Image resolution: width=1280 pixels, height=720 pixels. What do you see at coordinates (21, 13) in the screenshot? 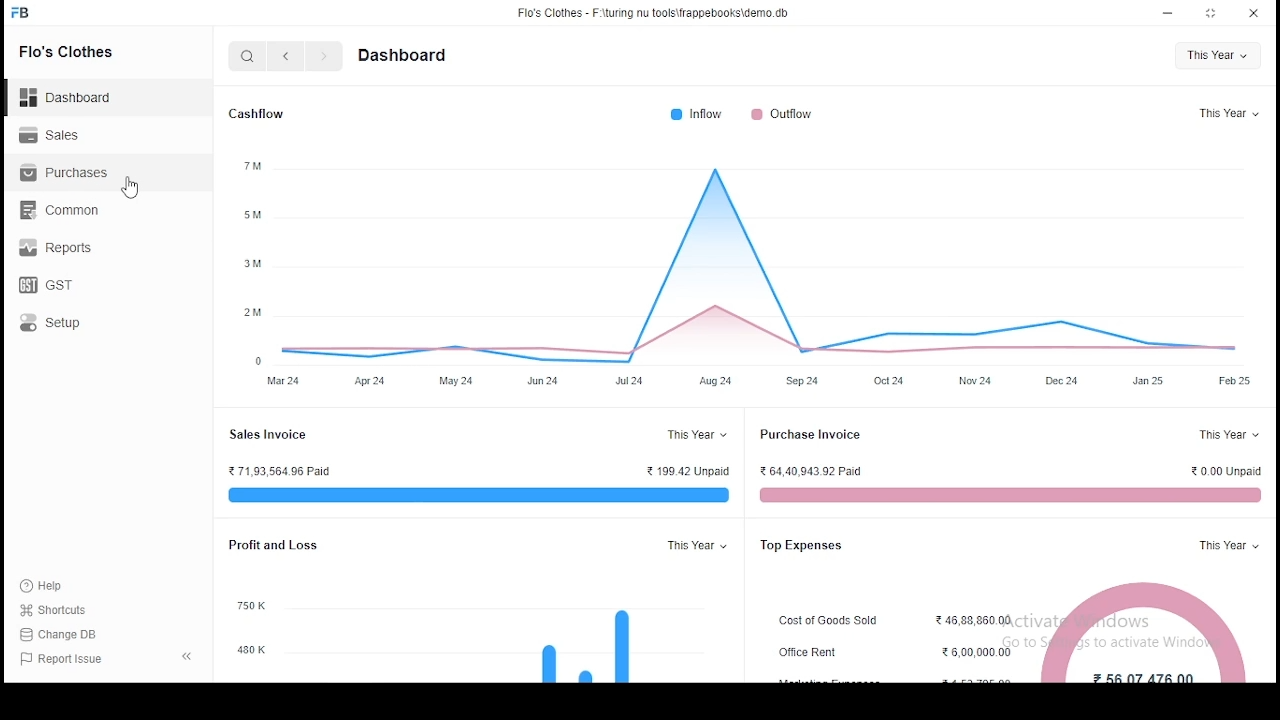
I see `icon` at bounding box center [21, 13].